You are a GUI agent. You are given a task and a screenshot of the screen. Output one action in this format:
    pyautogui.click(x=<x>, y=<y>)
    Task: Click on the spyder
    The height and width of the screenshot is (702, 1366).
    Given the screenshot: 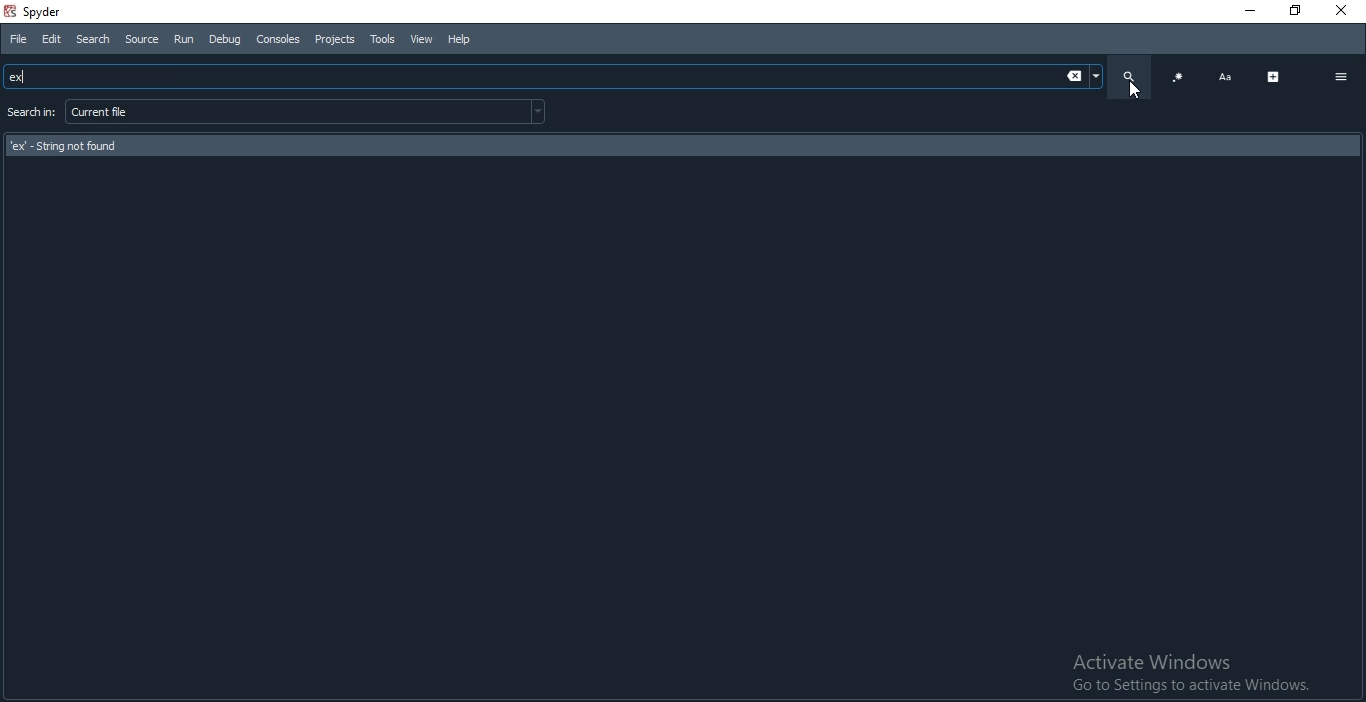 What is the action you would take?
    pyautogui.click(x=9, y=11)
    